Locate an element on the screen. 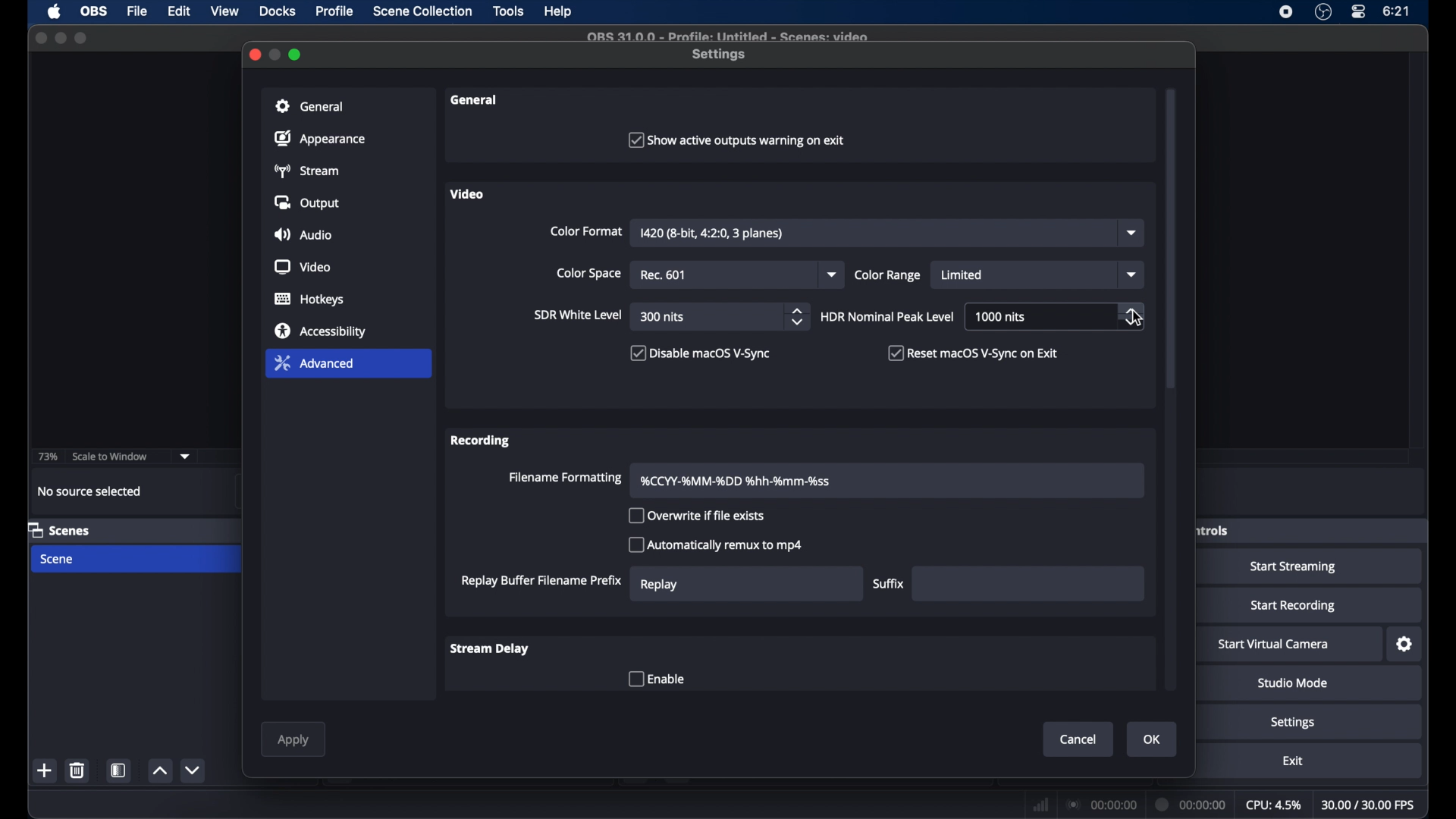 The width and height of the screenshot is (1456, 819). ok is located at coordinates (1153, 740).